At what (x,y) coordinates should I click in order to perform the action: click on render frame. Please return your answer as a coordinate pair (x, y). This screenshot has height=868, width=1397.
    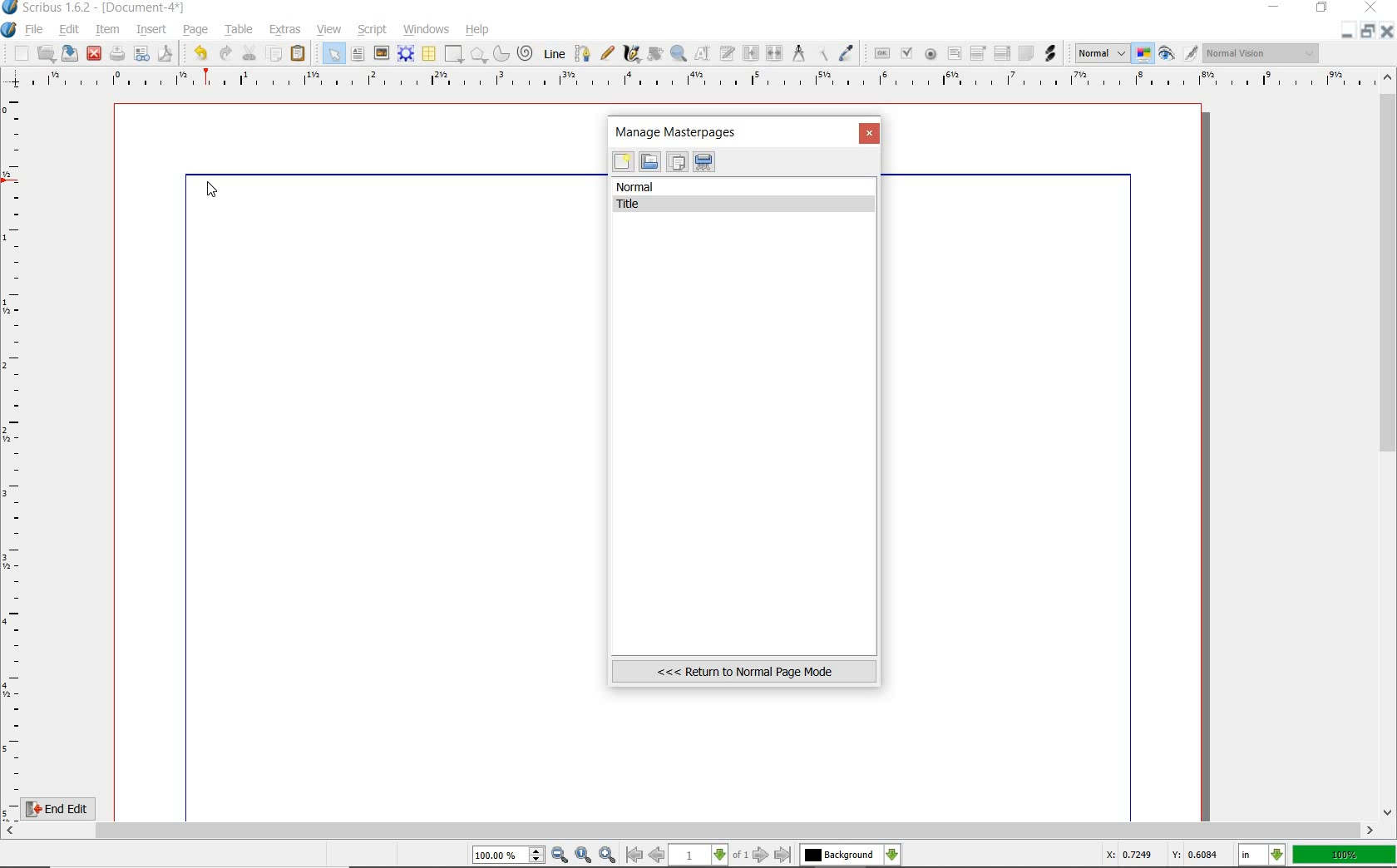
    Looking at the image, I should click on (406, 53).